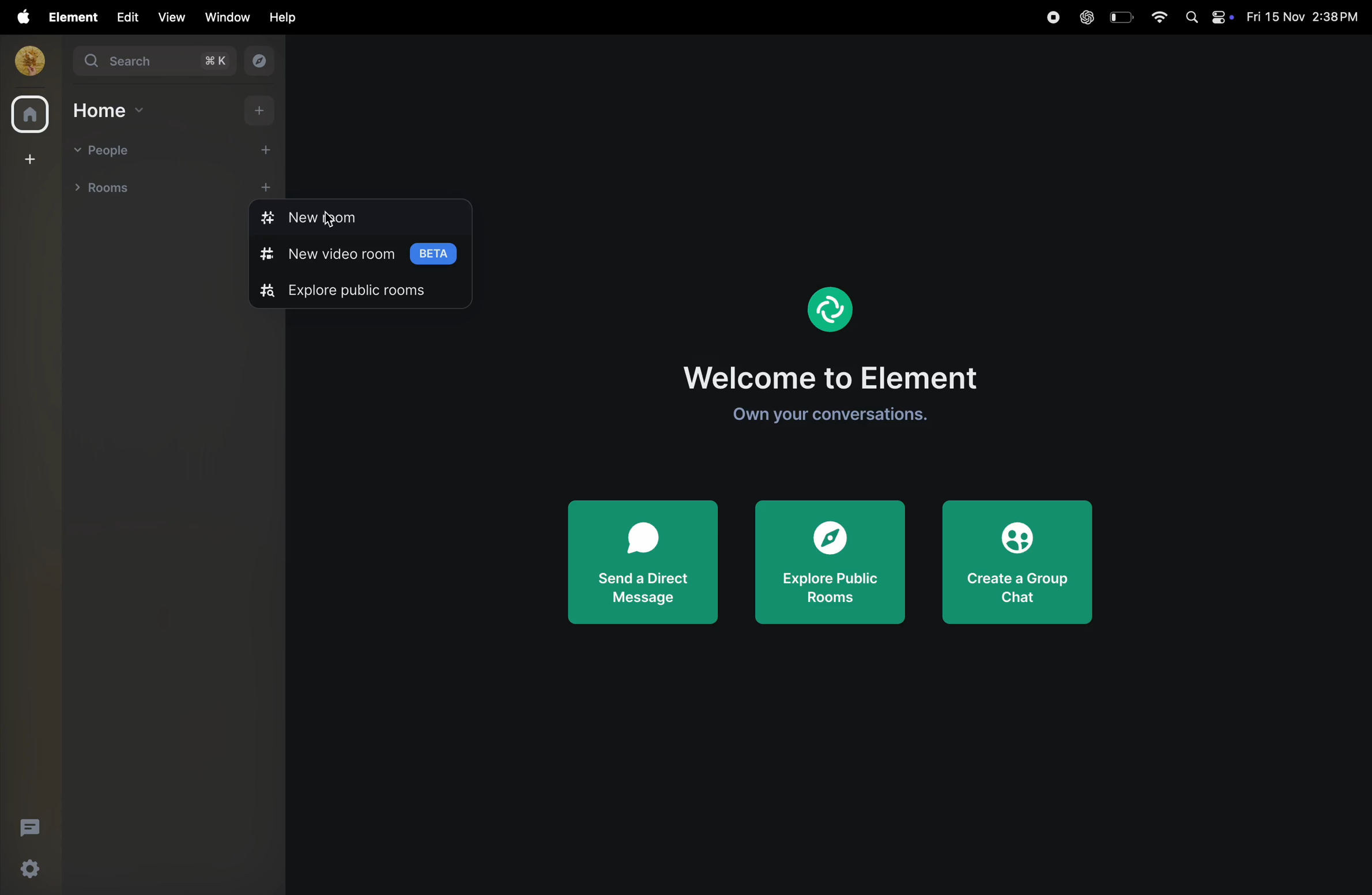 This screenshot has width=1372, height=895. What do you see at coordinates (31, 158) in the screenshot?
I see `create space` at bounding box center [31, 158].